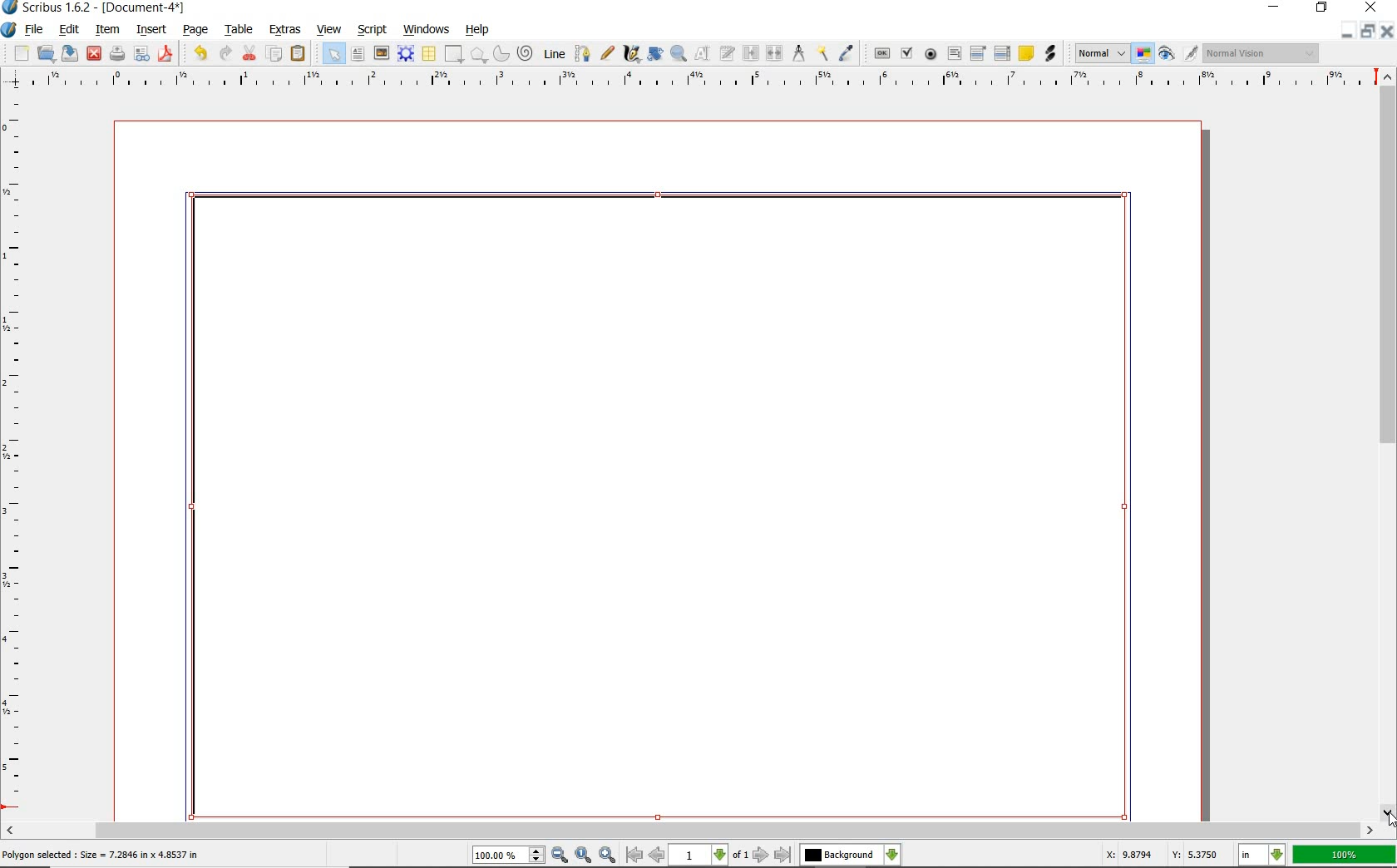 The image size is (1397, 868). What do you see at coordinates (1178, 55) in the screenshot?
I see `preview mode` at bounding box center [1178, 55].